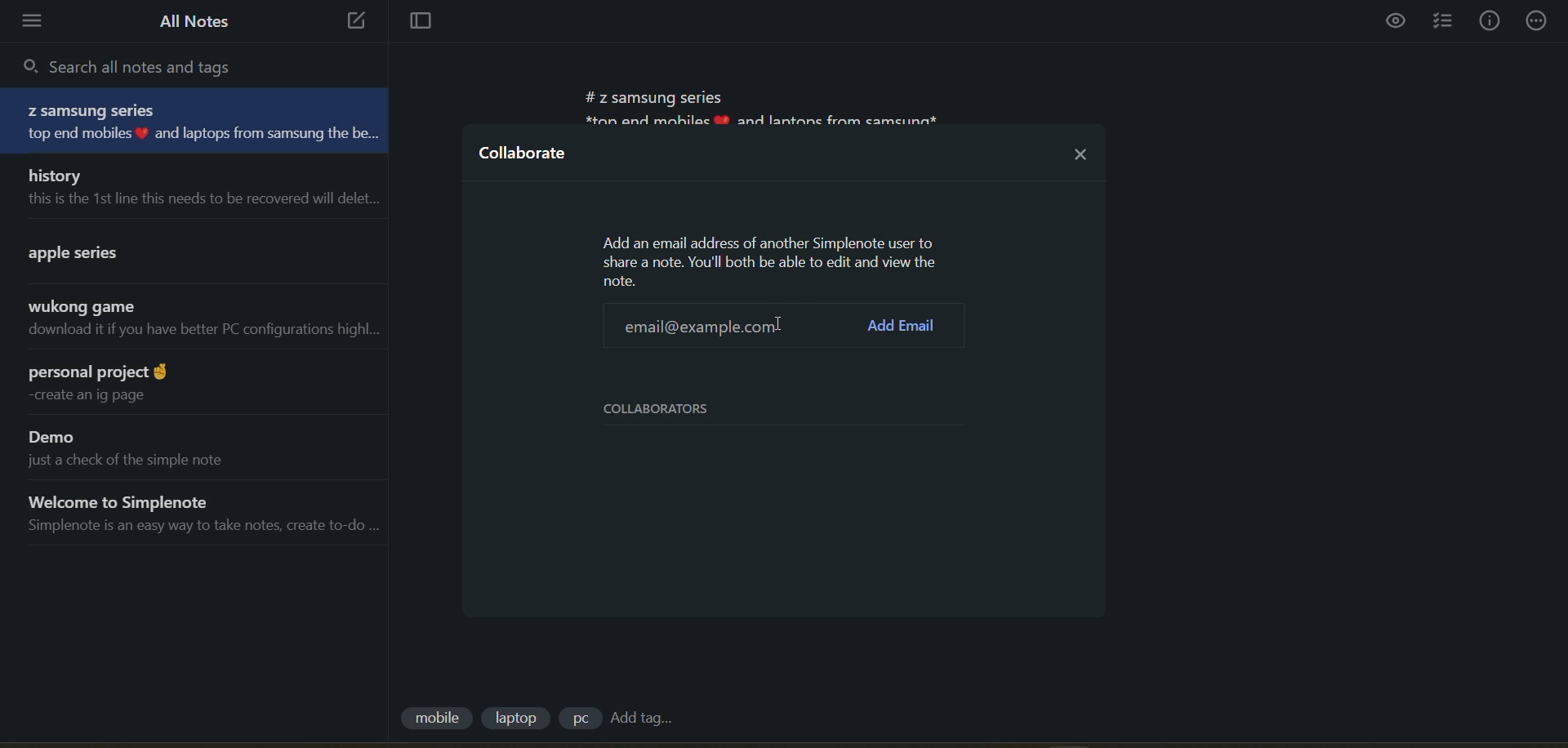  Describe the element at coordinates (139, 65) in the screenshot. I see `search all notes and tags` at that location.